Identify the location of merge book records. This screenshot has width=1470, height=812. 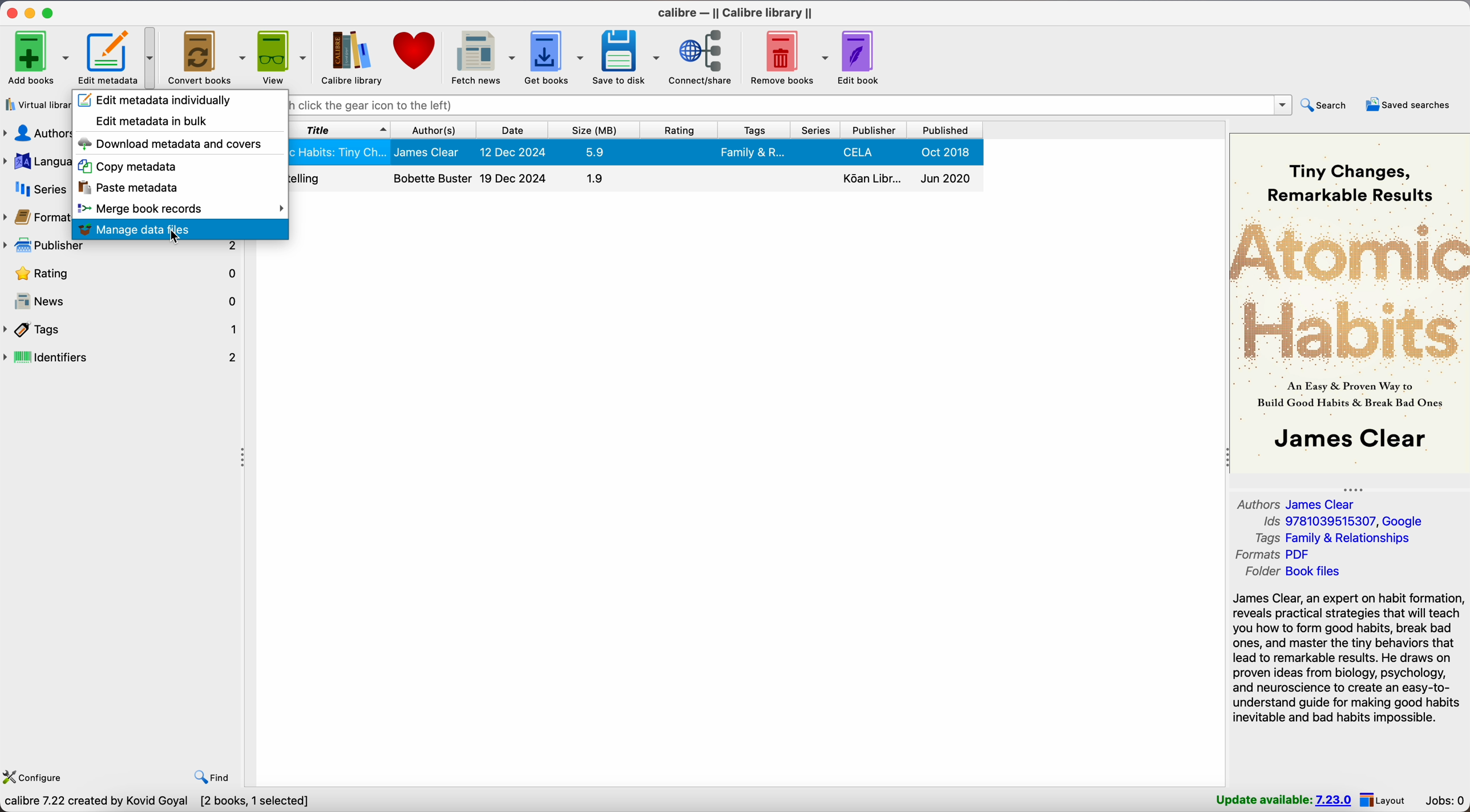
(182, 211).